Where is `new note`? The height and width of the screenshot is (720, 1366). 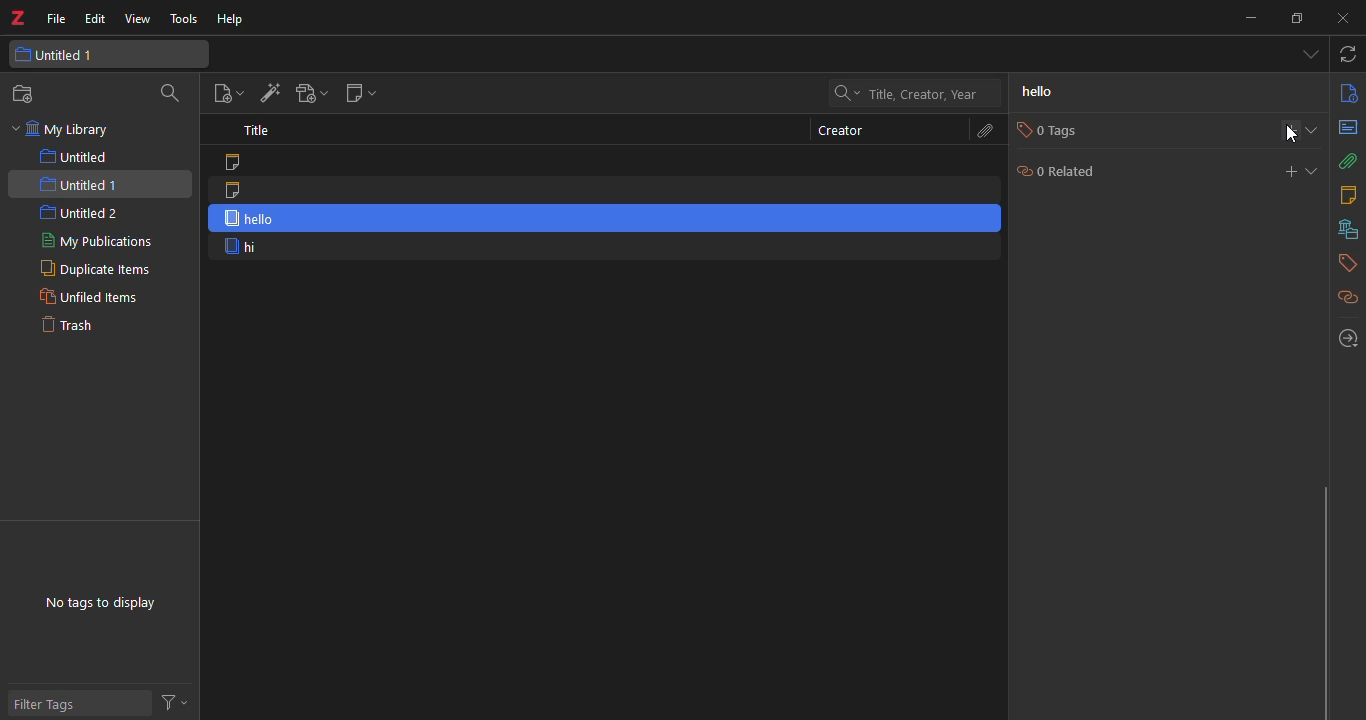
new note is located at coordinates (361, 96).